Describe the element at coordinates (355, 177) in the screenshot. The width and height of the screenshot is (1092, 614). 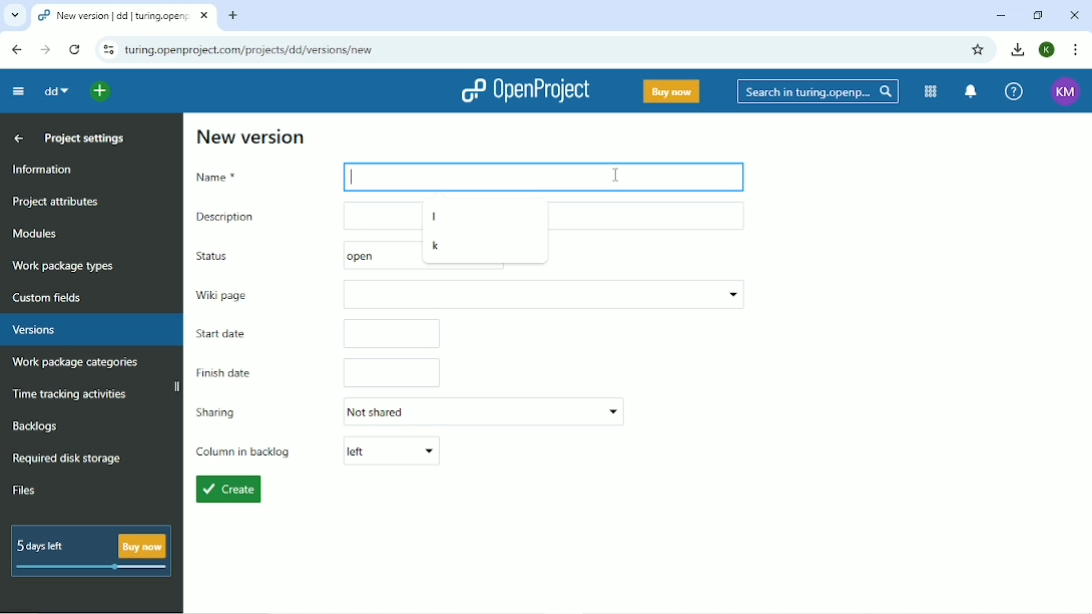
I see `Cursor` at that location.